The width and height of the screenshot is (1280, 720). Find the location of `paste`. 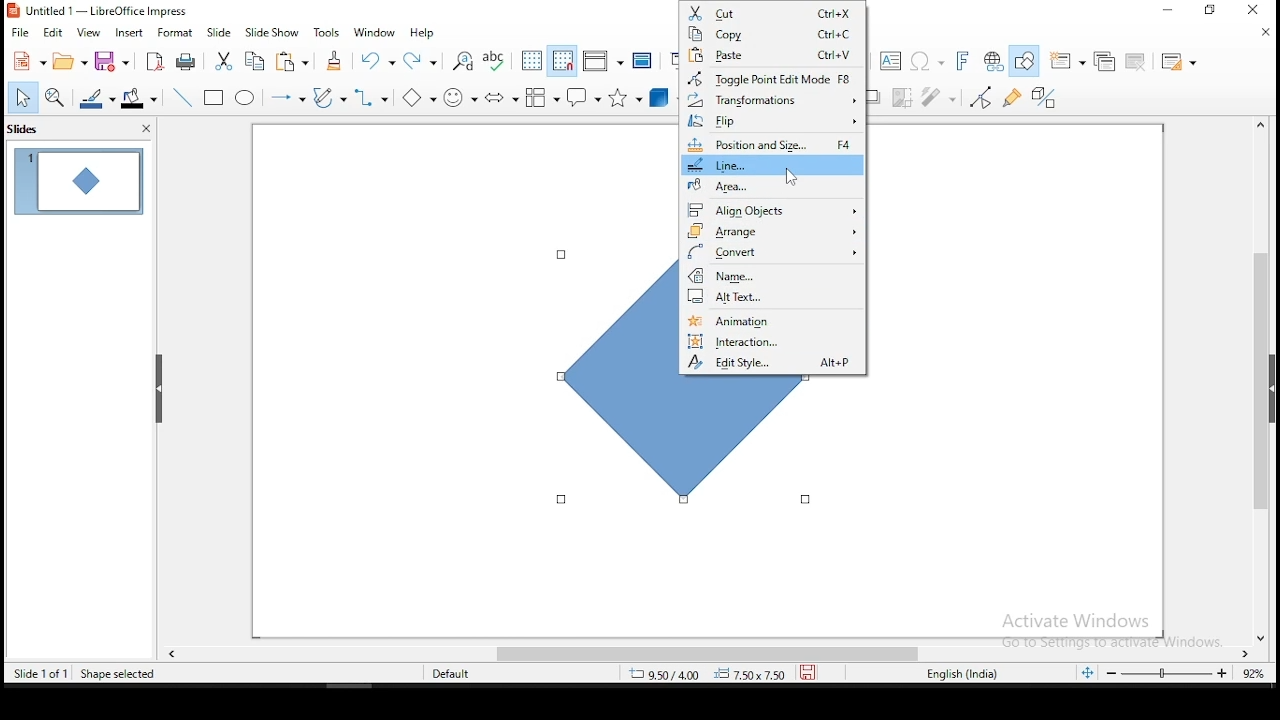

paste is located at coordinates (293, 63).